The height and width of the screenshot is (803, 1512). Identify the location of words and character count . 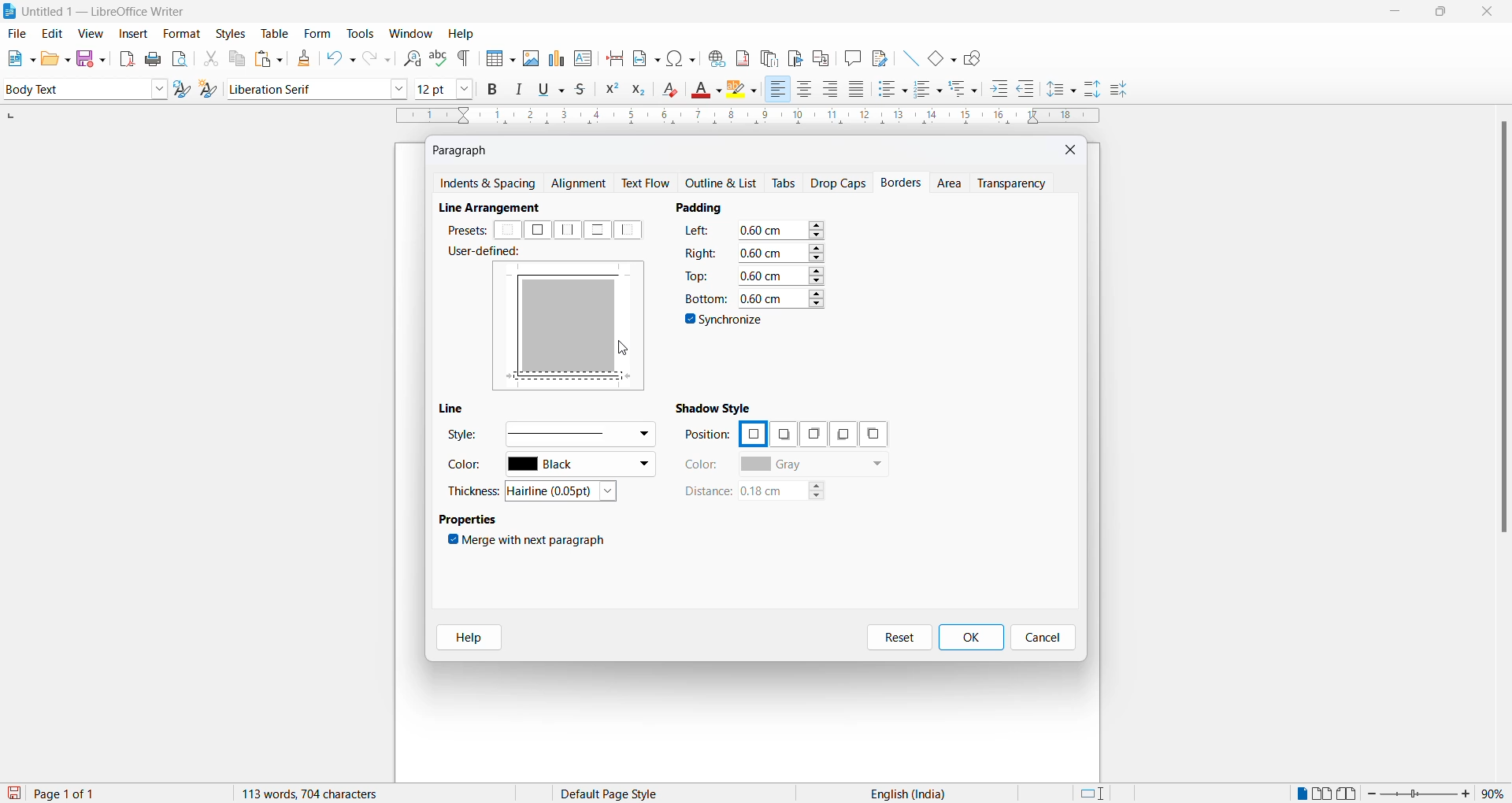
(325, 794).